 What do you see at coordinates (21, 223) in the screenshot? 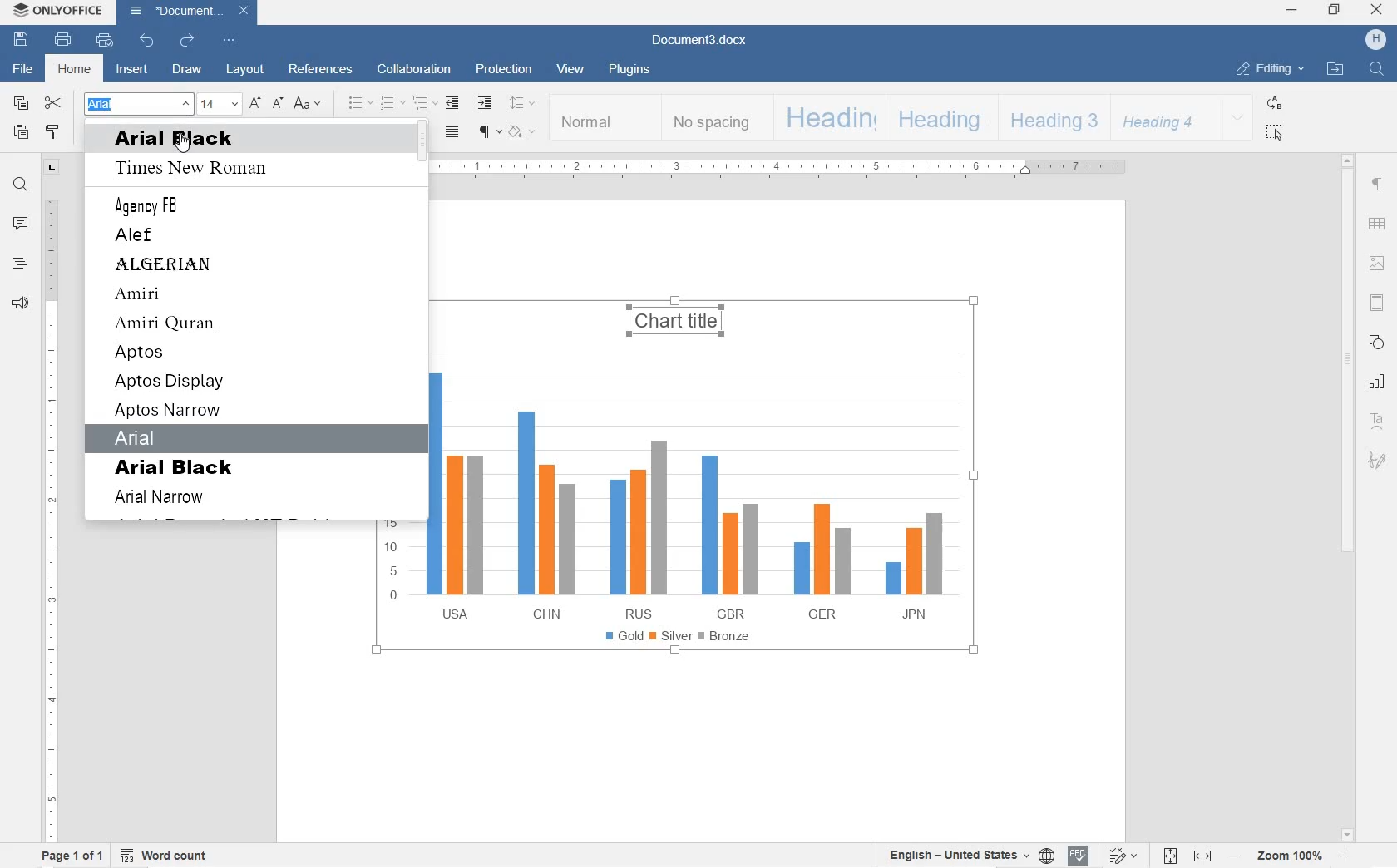
I see `COMMENT` at bounding box center [21, 223].